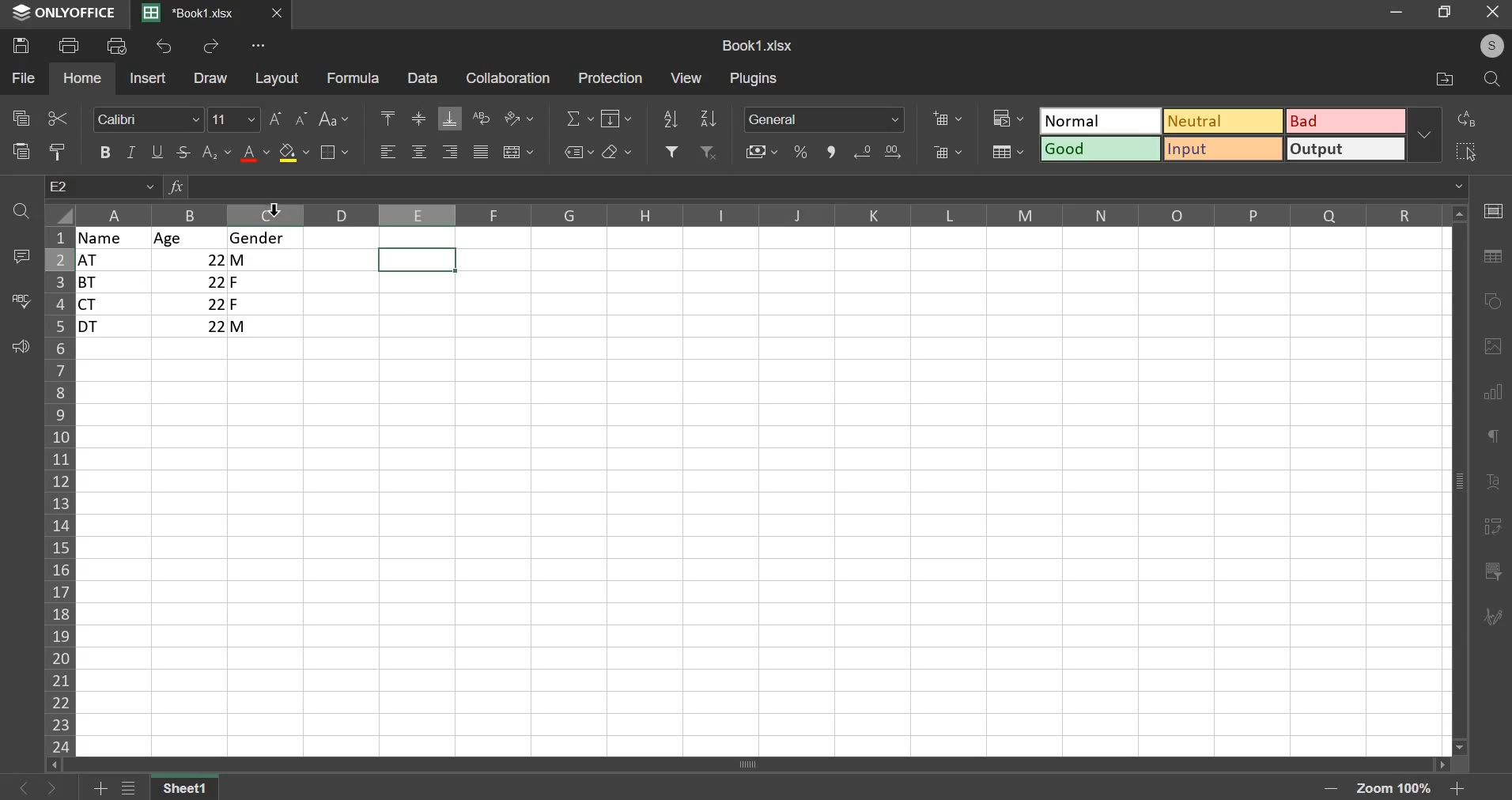 This screenshot has width=1512, height=800. Describe the element at coordinates (24, 786) in the screenshot. I see `next` at that location.